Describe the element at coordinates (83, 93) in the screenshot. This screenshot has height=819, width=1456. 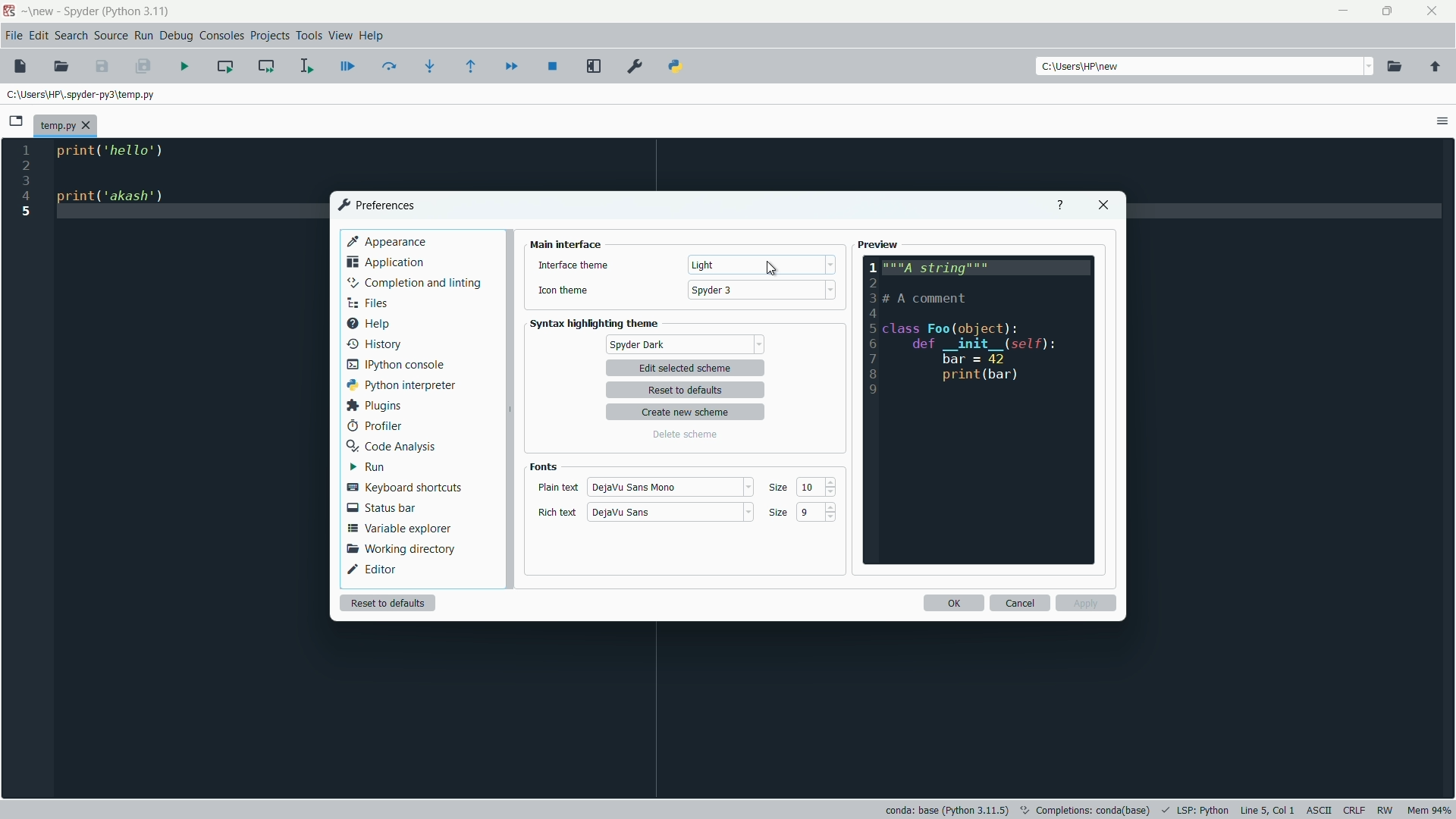
I see `file directory` at that location.